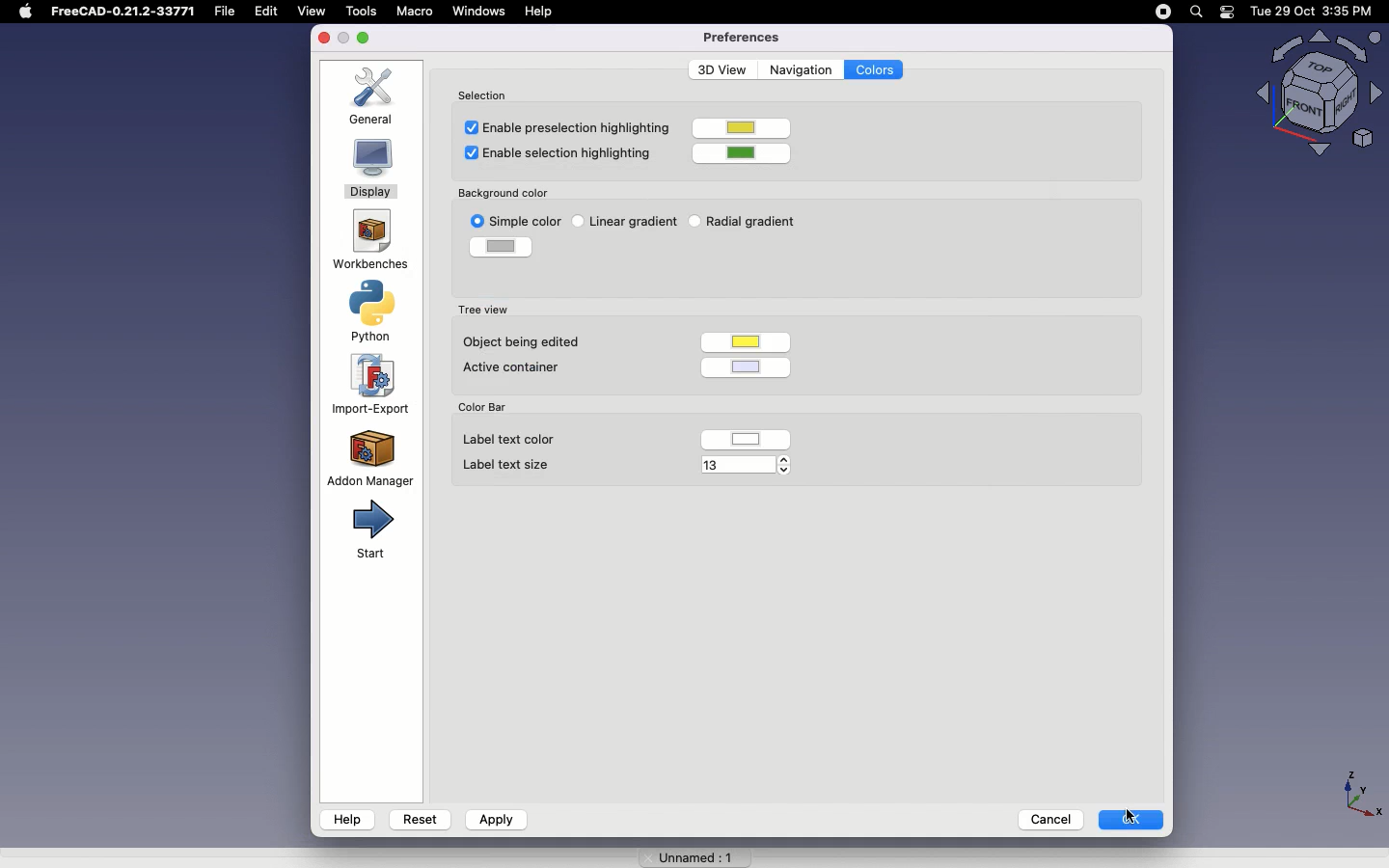 This screenshot has width=1389, height=868. What do you see at coordinates (324, 39) in the screenshot?
I see `close` at bounding box center [324, 39].